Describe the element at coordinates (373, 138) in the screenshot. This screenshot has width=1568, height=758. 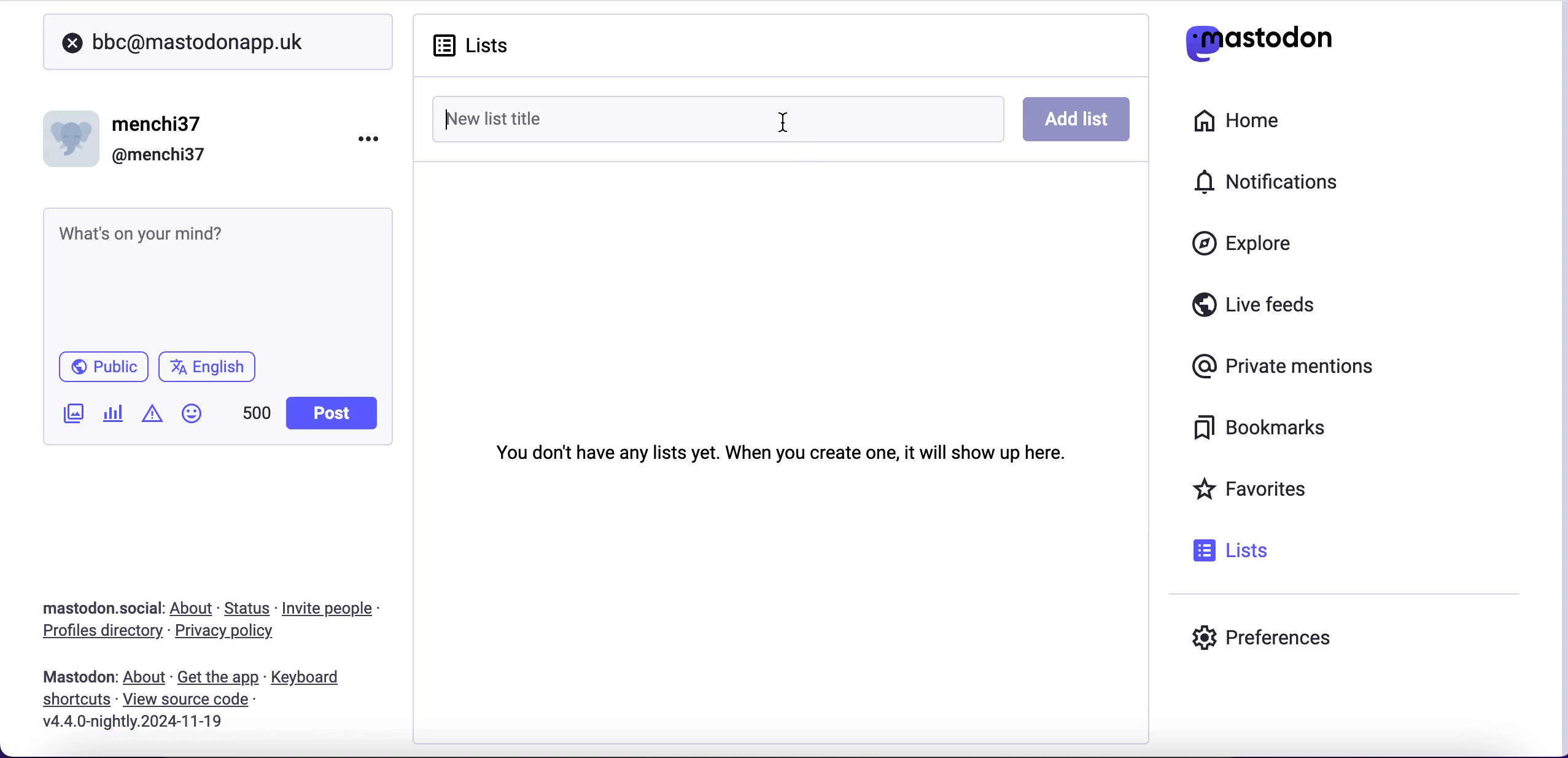
I see `menu options` at that location.